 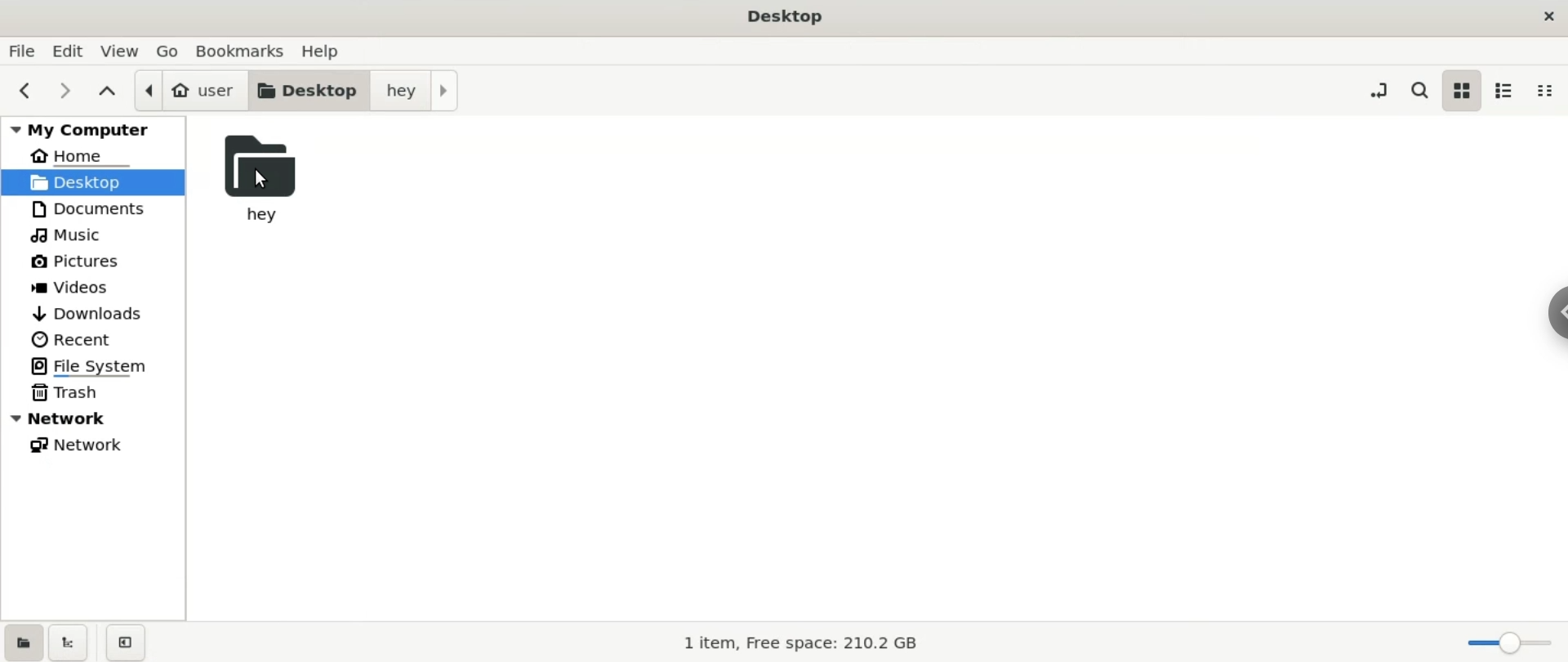 What do you see at coordinates (1462, 91) in the screenshot?
I see `icon view` at bounding box center [1462, 91].